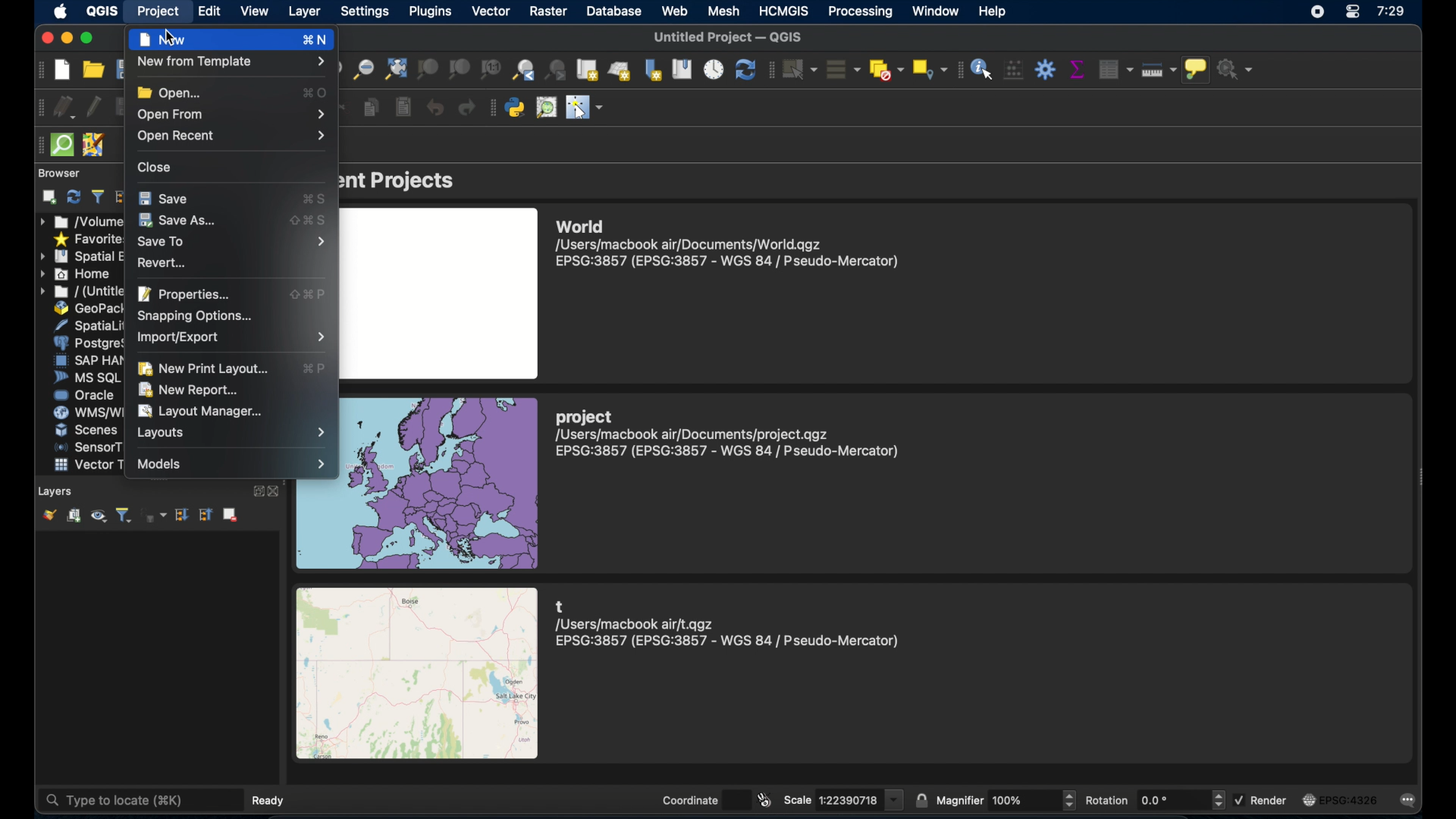  What do you see at coordinates (312, 220) in the screenshot?
I see `save as shortcut` at bounding box center [312, 220].